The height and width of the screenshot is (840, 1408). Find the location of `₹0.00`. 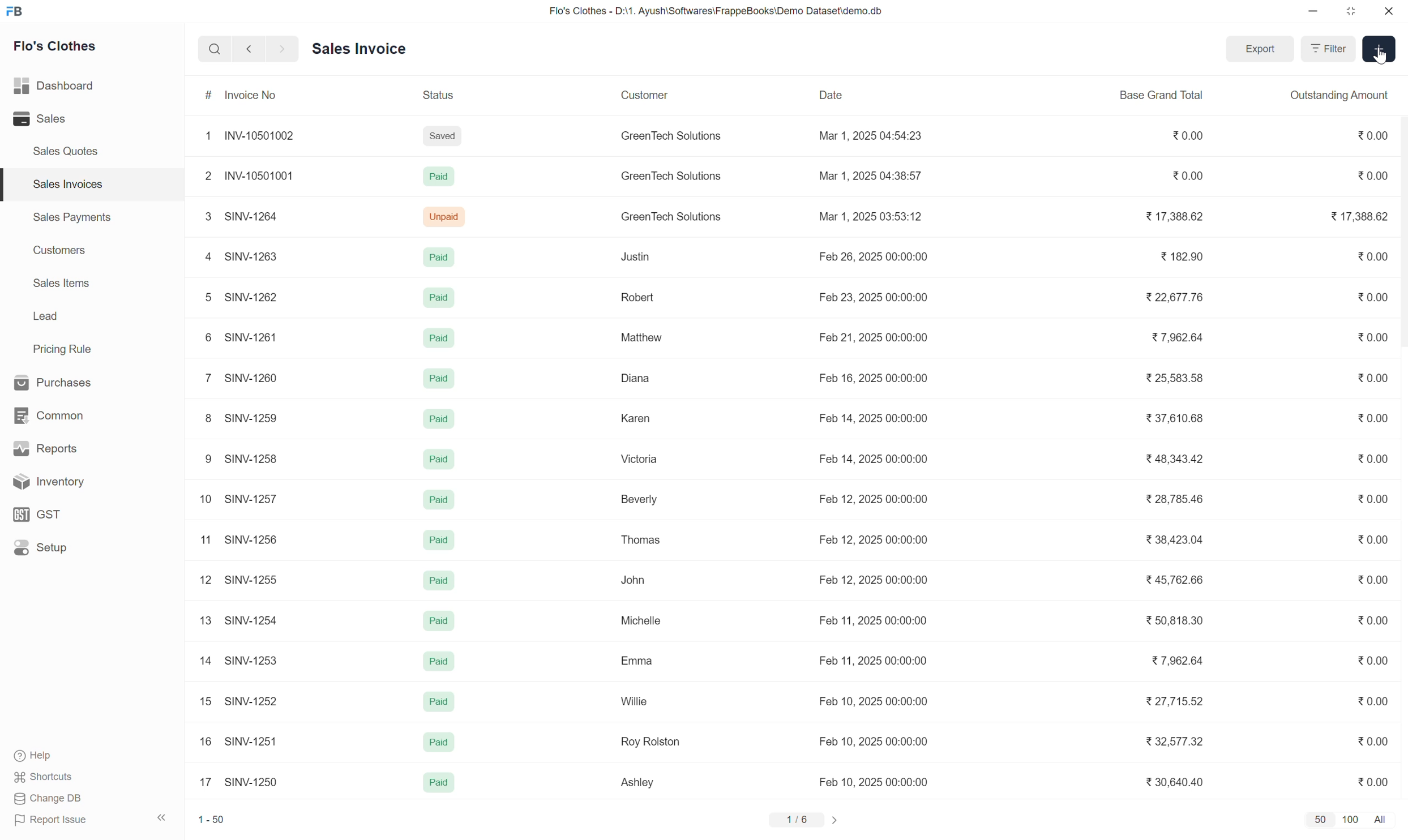

₹0.00 is located at coordinates (1366, 785).